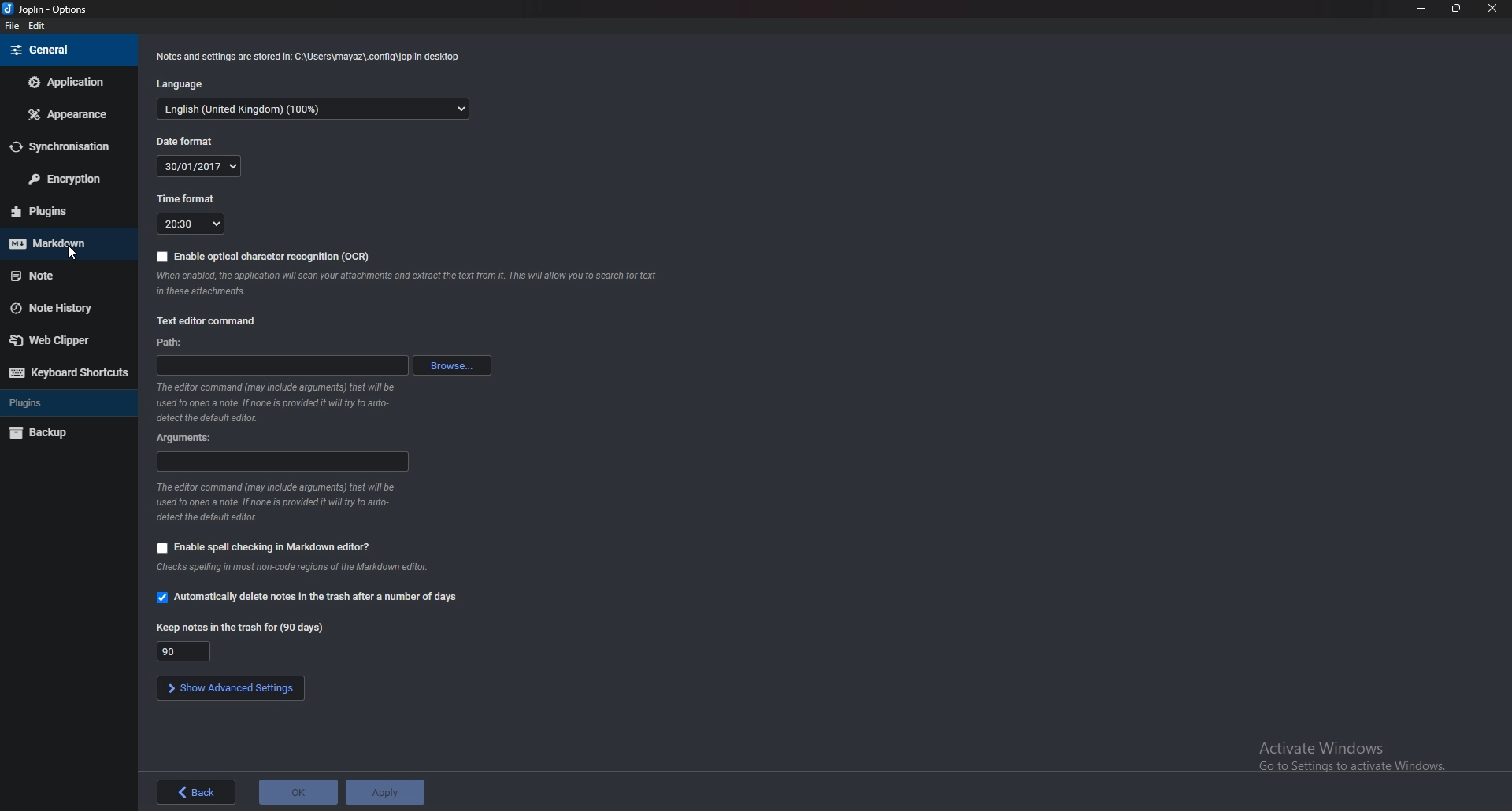  What do you see at coordinates (1457, 9) in the screenshot?
I see `Resize` at bounding box center [1457, 9].